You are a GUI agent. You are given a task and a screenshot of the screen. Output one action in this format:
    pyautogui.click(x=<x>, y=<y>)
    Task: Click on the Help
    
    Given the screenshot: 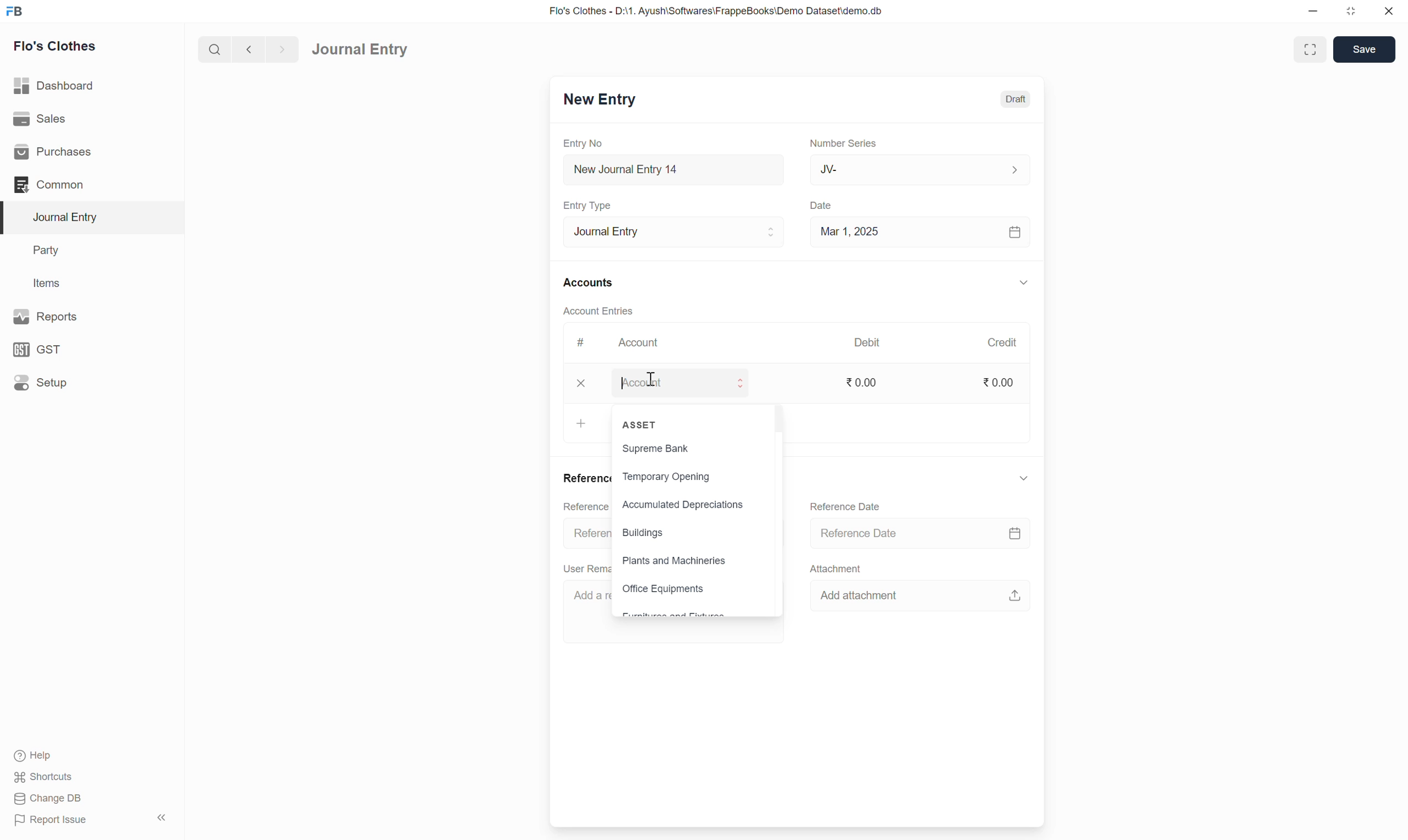 What is the action you would take?
    pyautogui.click(x=36, y=756)
    